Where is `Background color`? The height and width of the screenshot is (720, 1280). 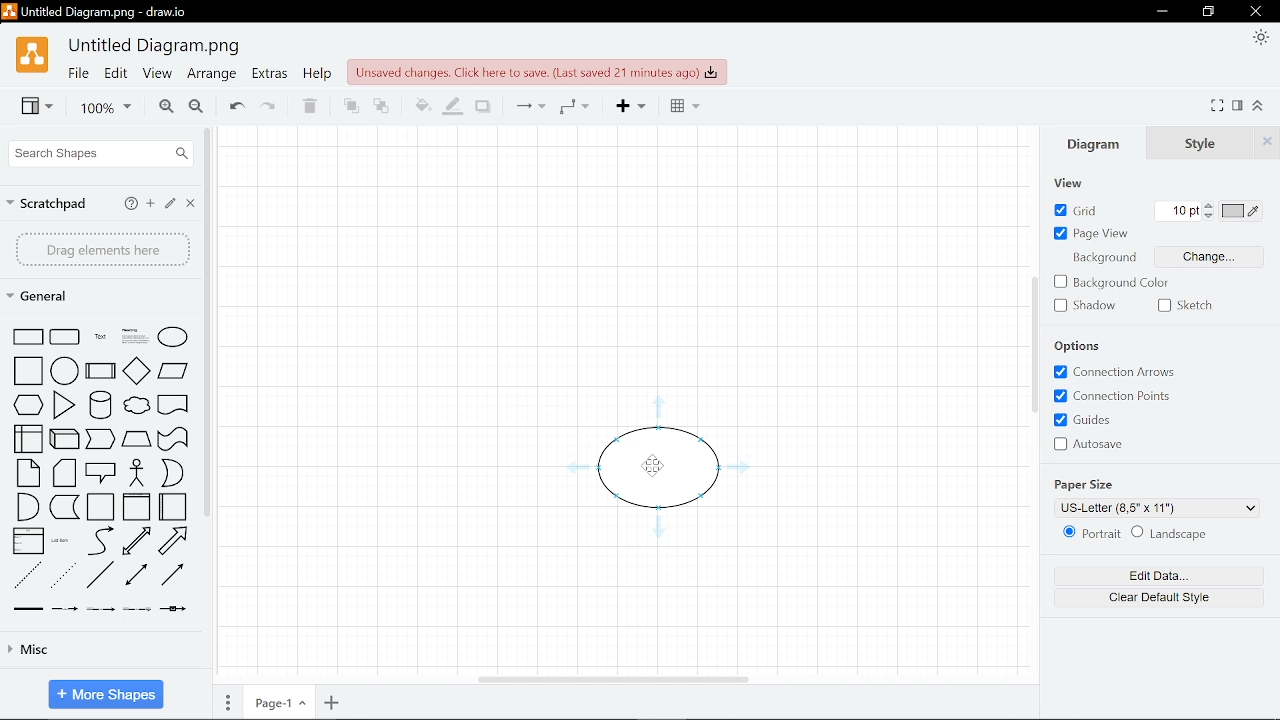 Background color is located at coordinates (1112, 284).